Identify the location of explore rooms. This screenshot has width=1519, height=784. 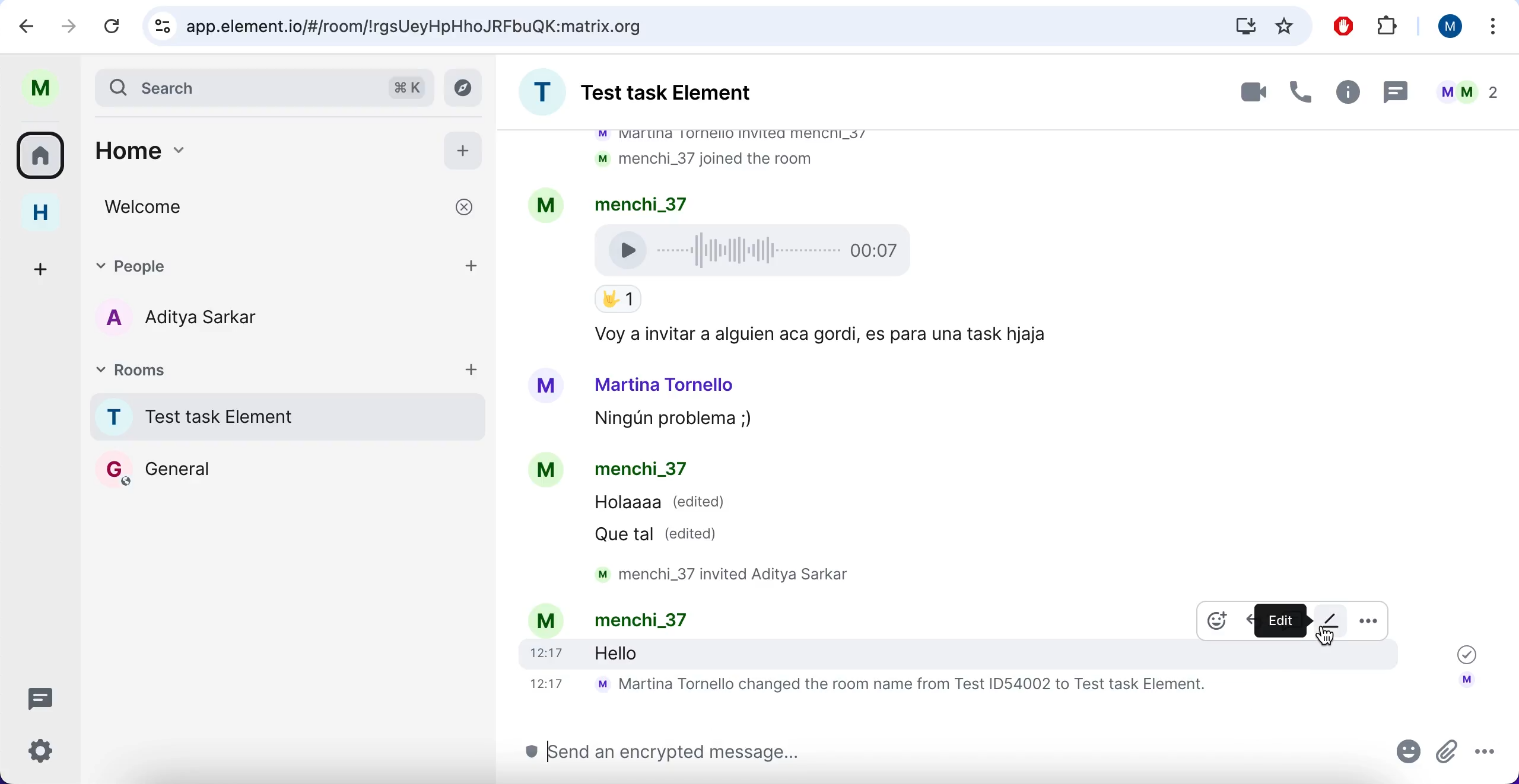
(466, 87).